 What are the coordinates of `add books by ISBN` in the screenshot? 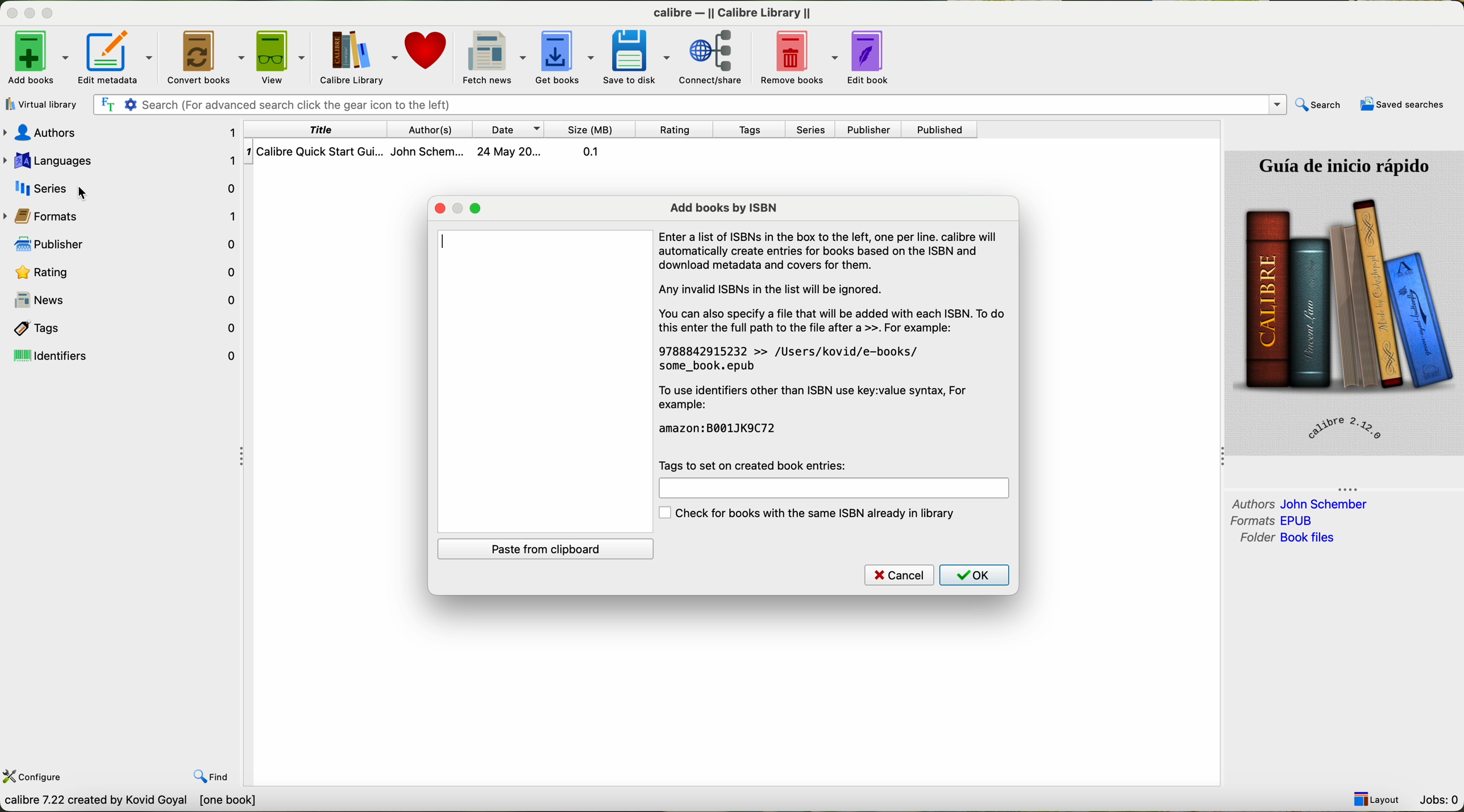 It's located at (723, 206).